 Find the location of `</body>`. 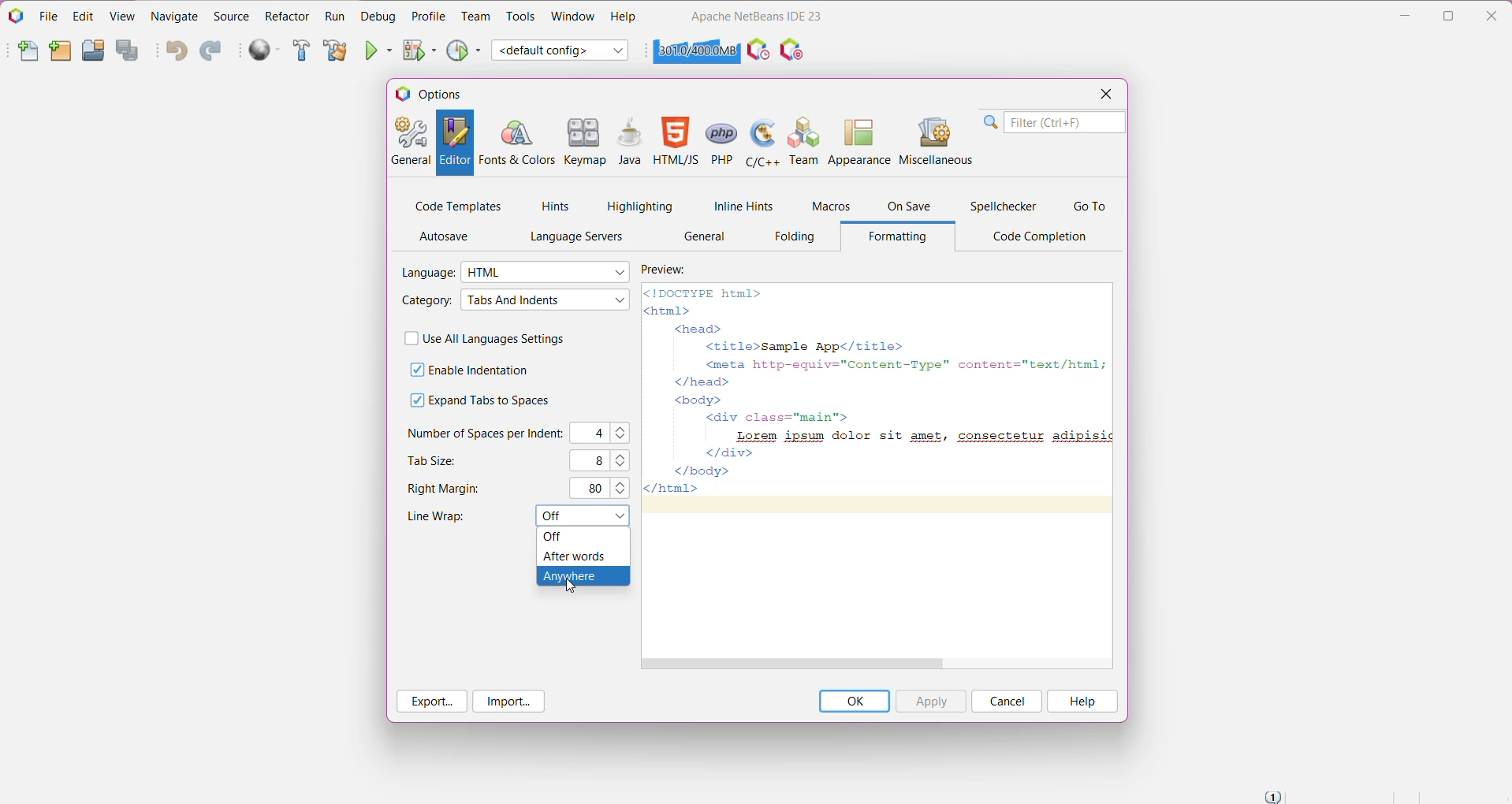

</body> is located at coordinates (706, 471).